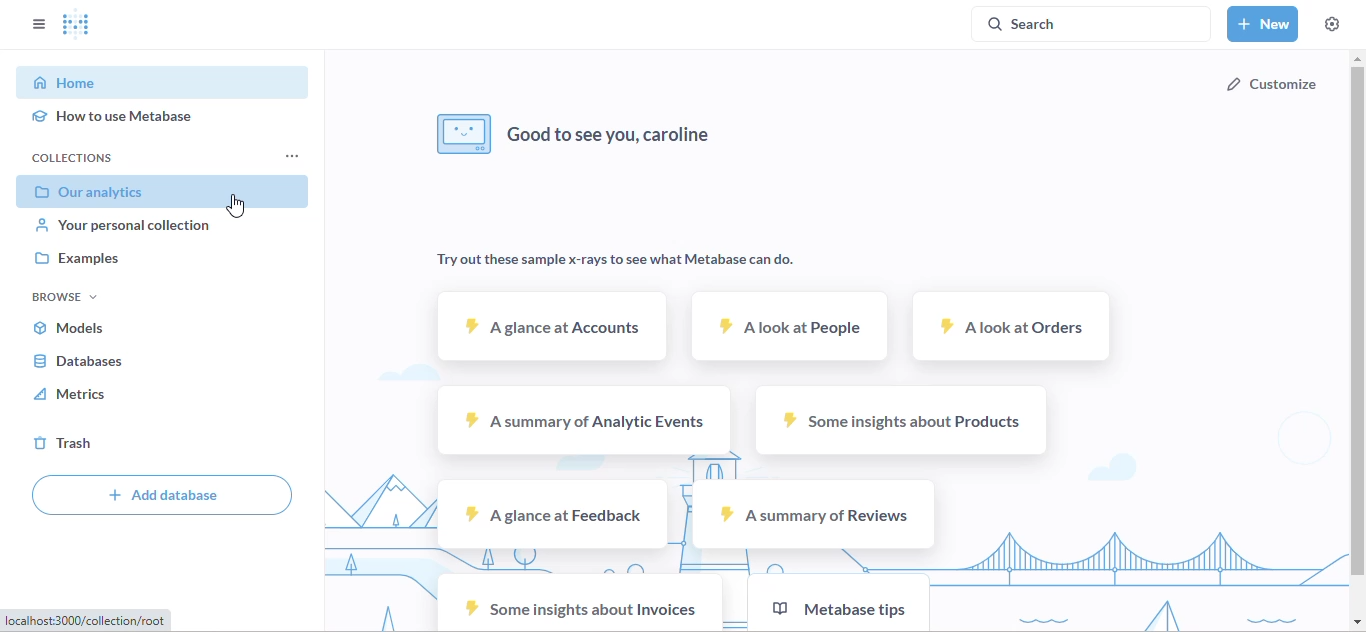  What do you see at coordinates (1013, 327) in the screenshot?
I see `a look at orders` at bounding box center [1013, 327].